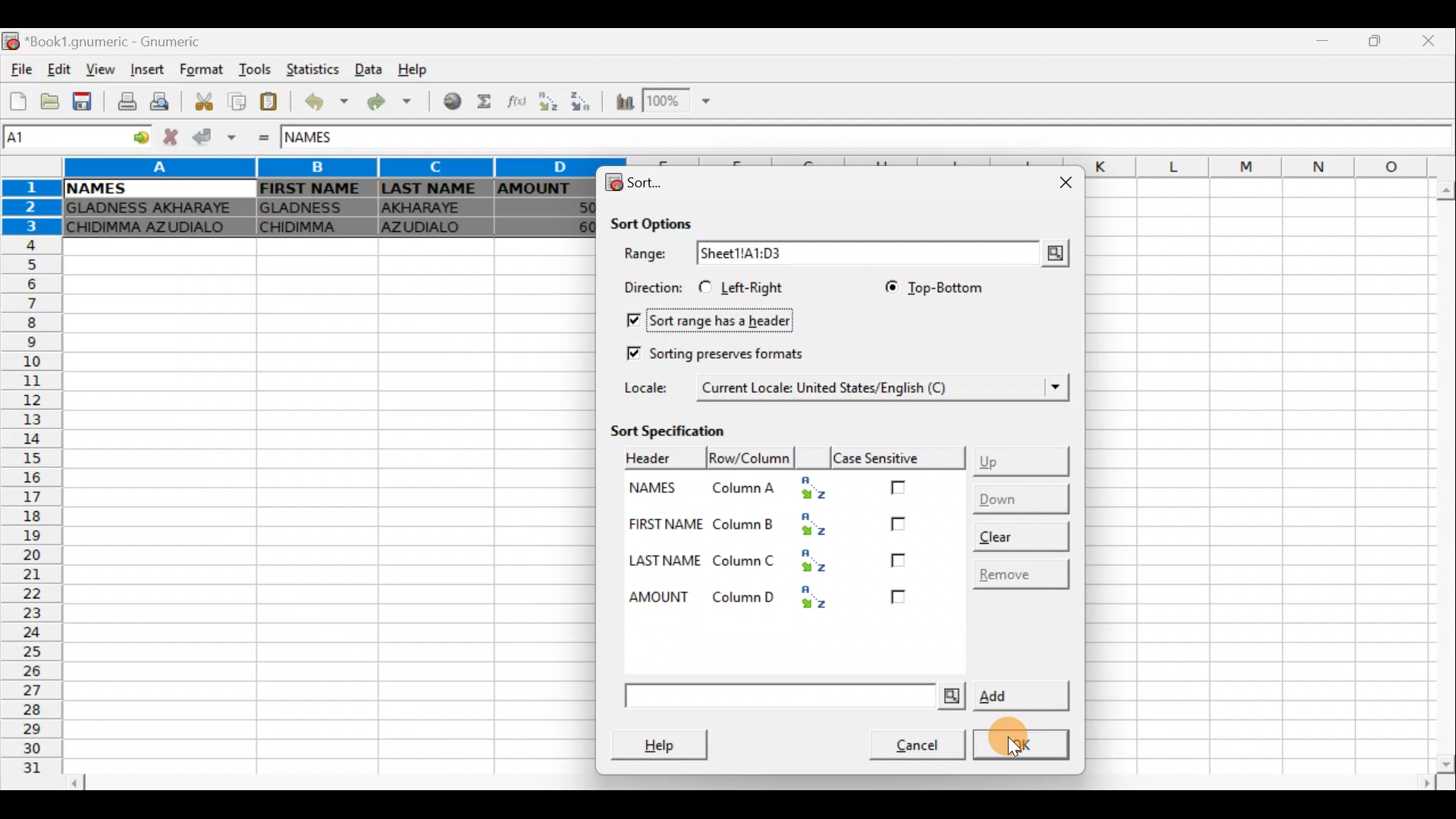 The height and width of the screenshot is (819, 1456). I want to click on Formula bar, so click(912, 138).